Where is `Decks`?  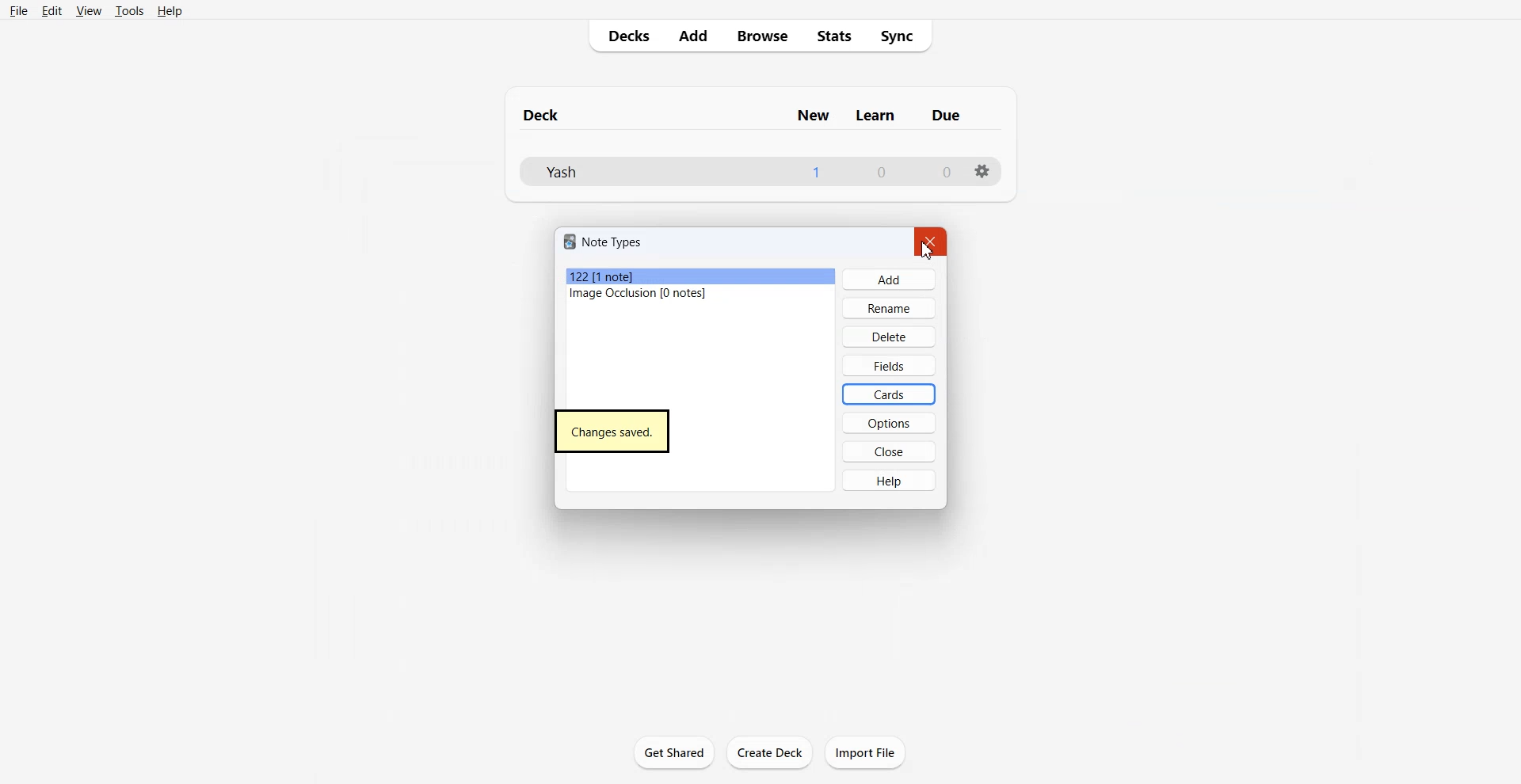
Decks is located at coordinates (625, 36).